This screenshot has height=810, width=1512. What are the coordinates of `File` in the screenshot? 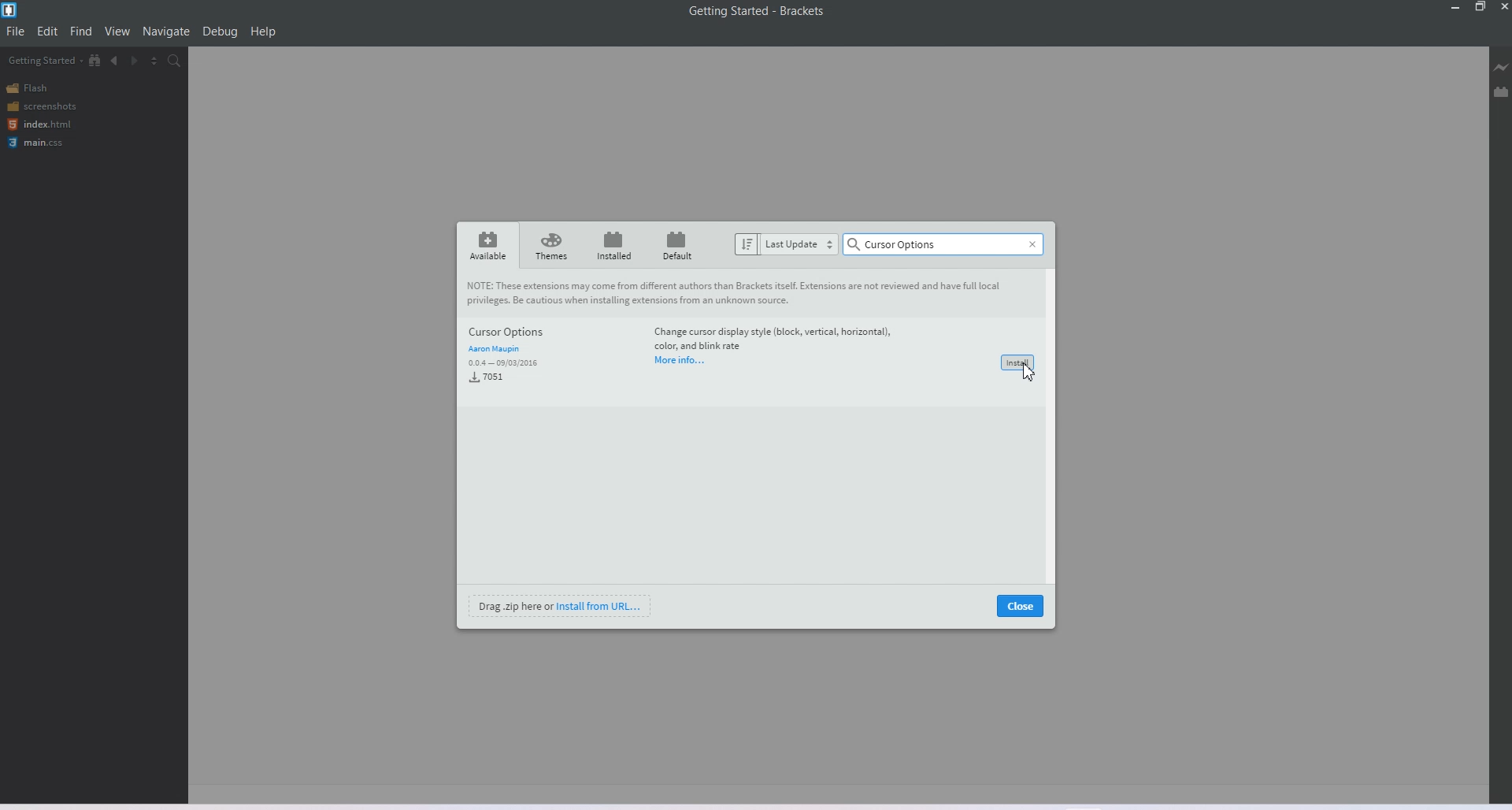 It's located at (15, 31).